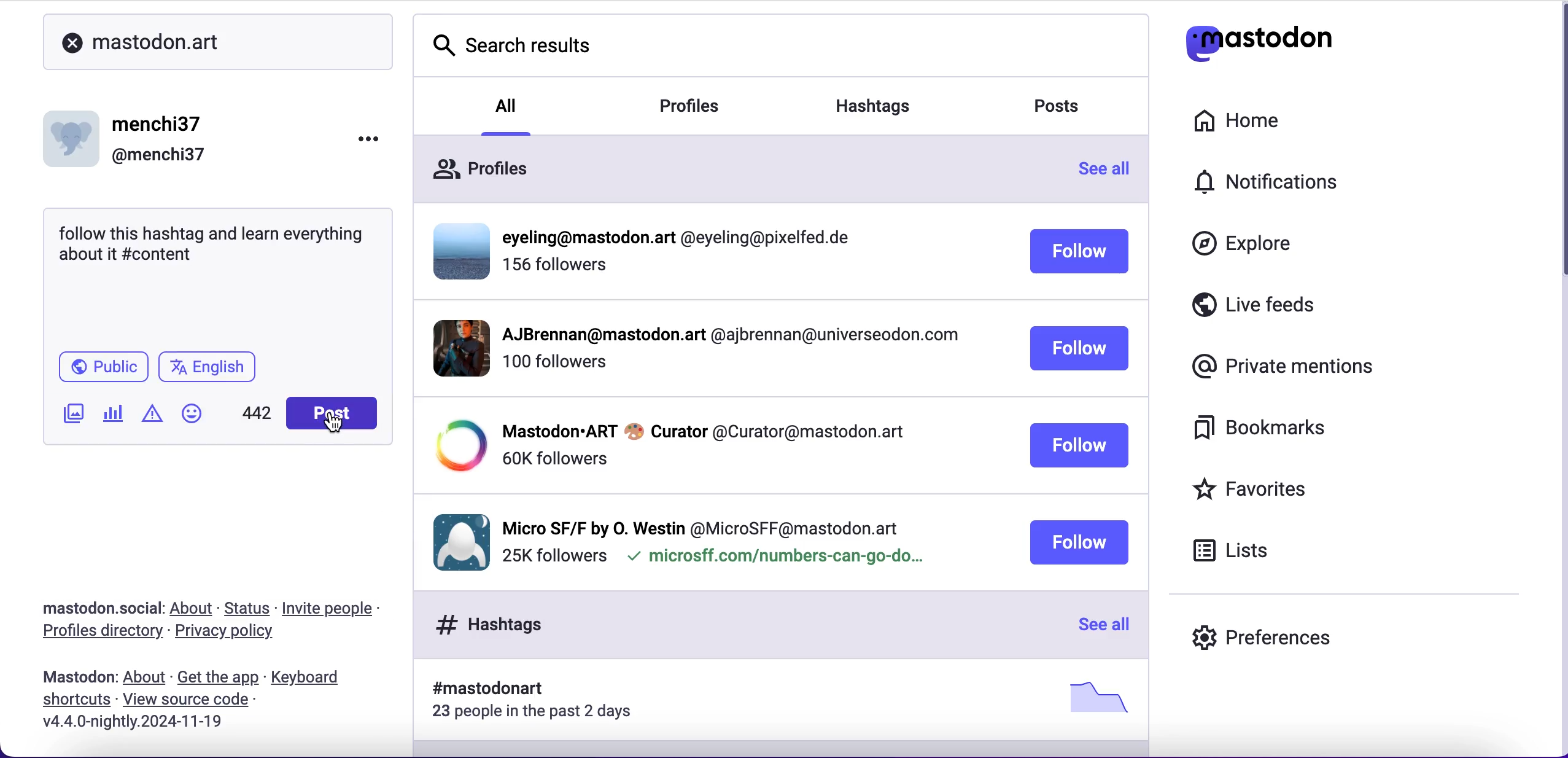 Image resolution: width=1568 pixels, height=758 pixels. Describe the element at coordinates (540, 714) in the screenshot. I see `23 people in the past 2 days` at that location.